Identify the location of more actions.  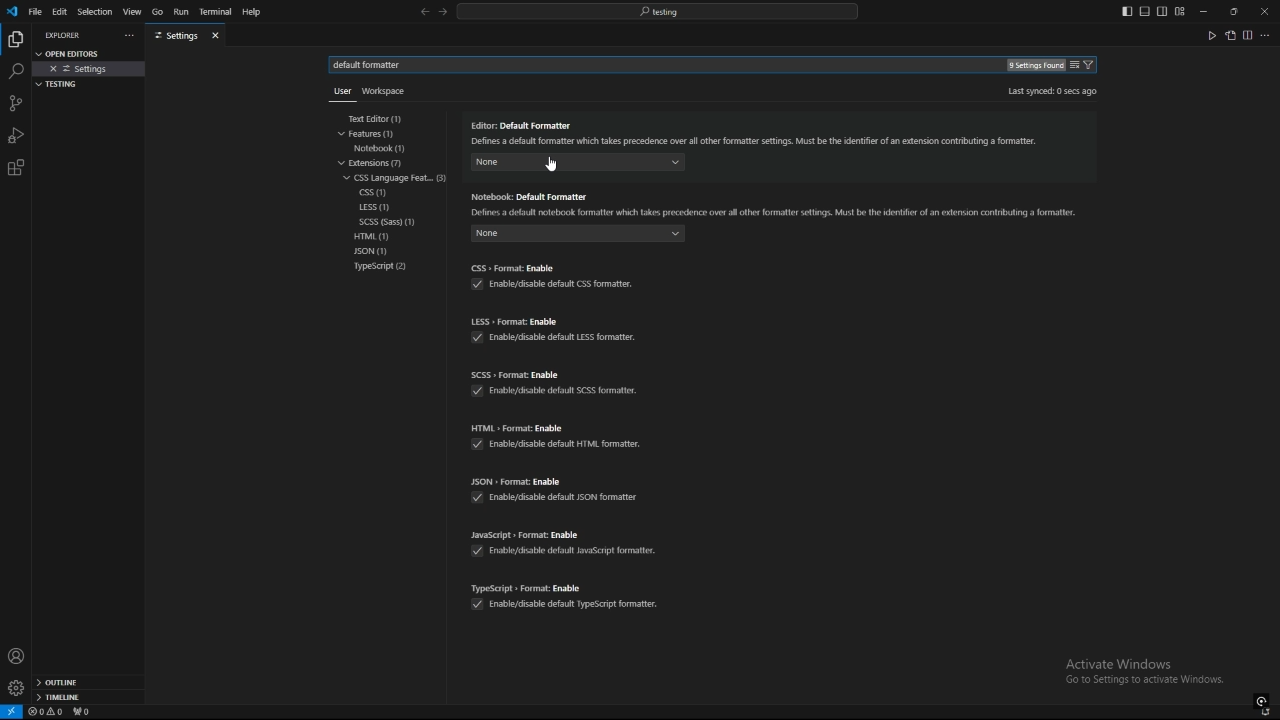
(127, 36).